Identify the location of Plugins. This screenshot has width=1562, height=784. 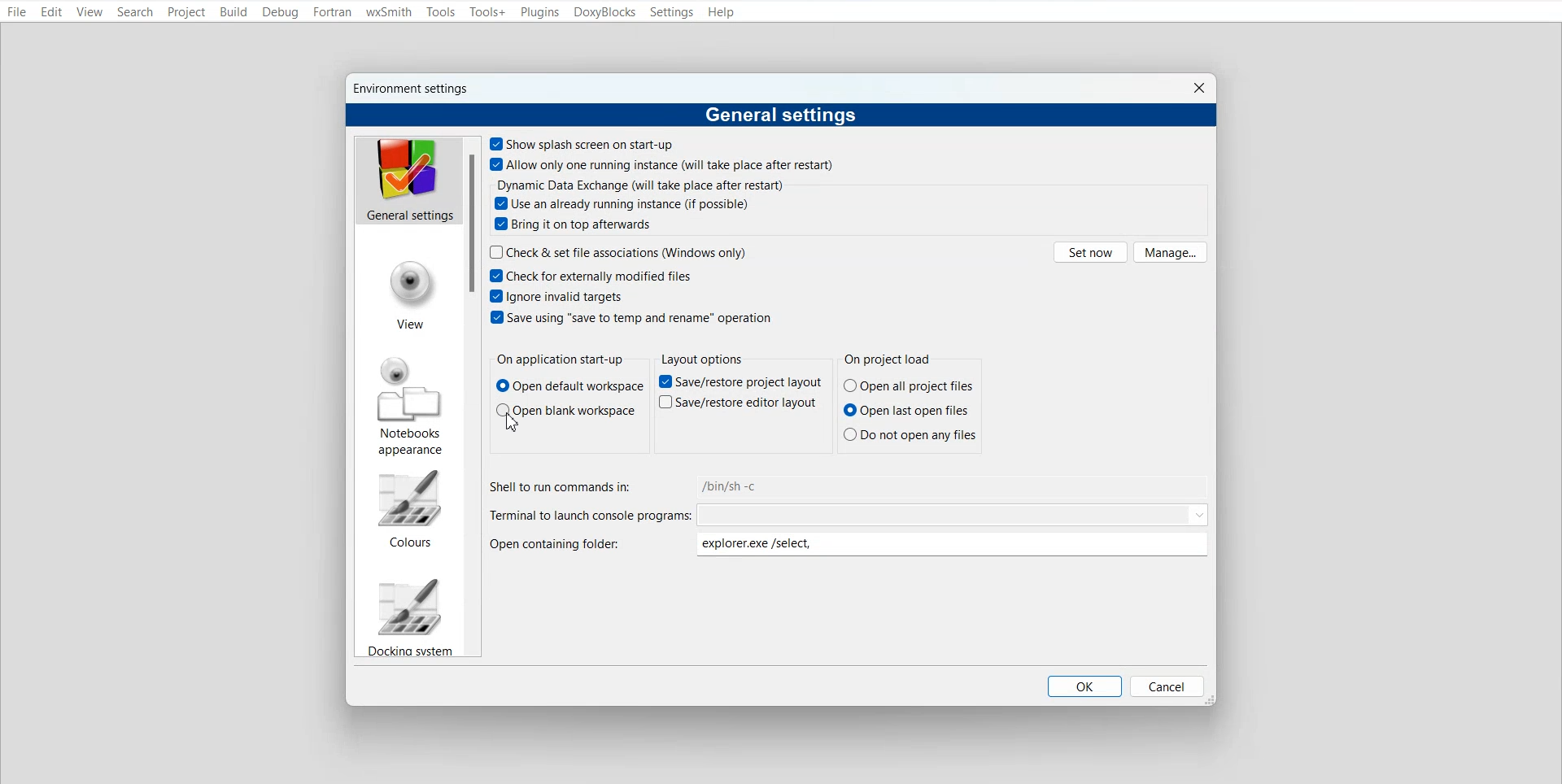
(539, 13).